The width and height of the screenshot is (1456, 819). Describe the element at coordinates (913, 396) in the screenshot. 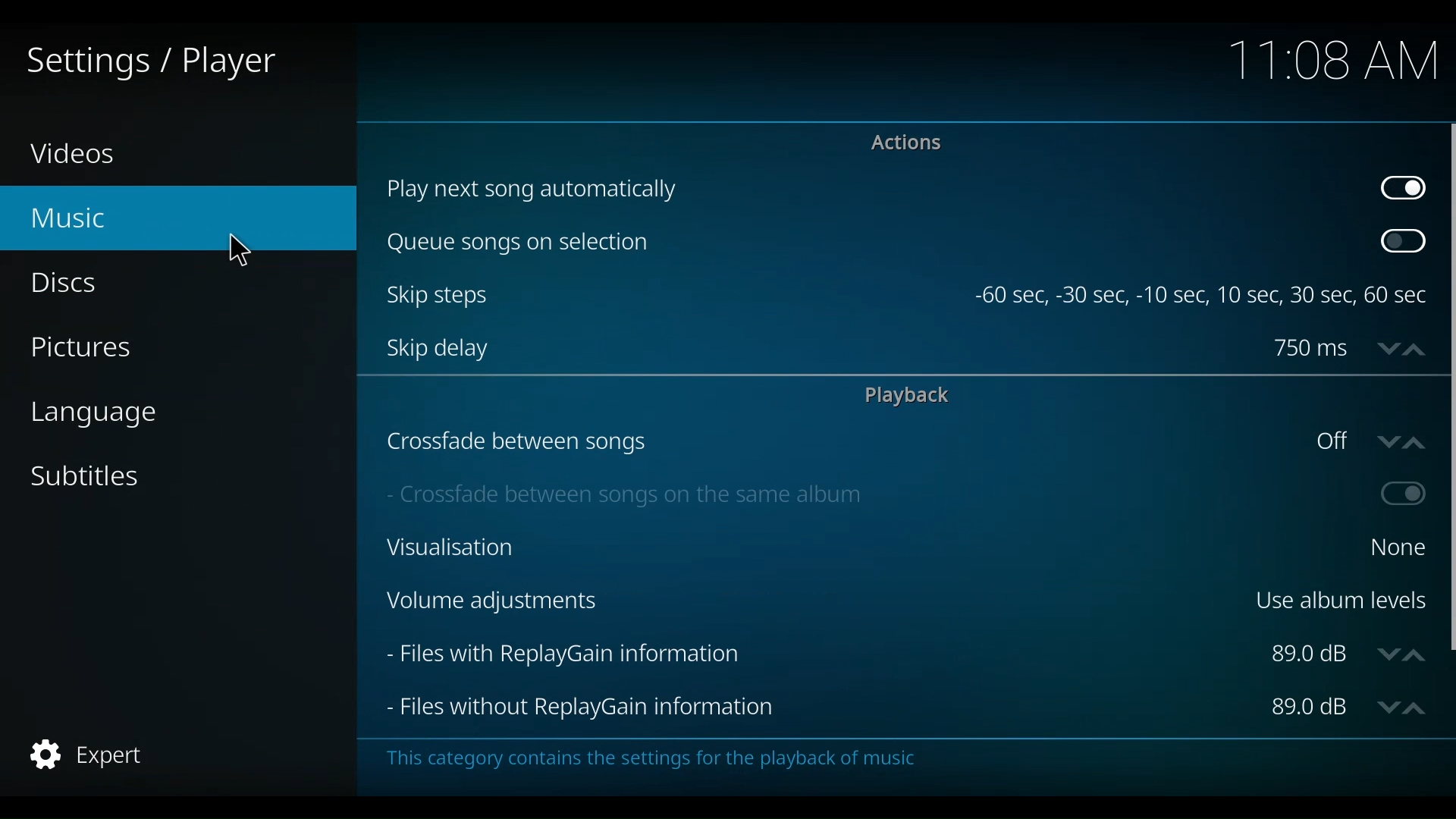

I see `playback` at that location.